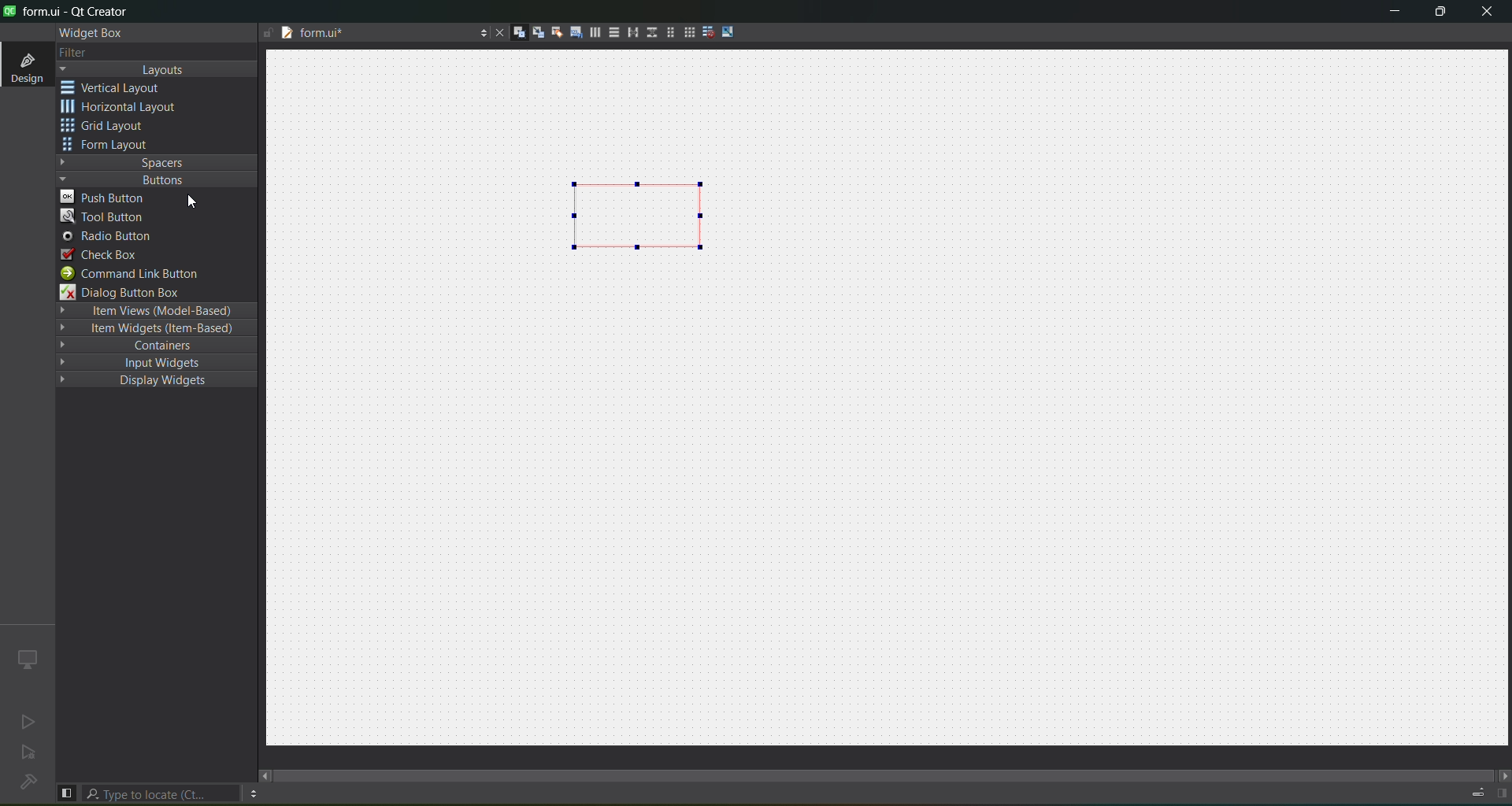 The width and height of the screenshot is (1512, 806). I want to click on form layout, so click(108, 146).